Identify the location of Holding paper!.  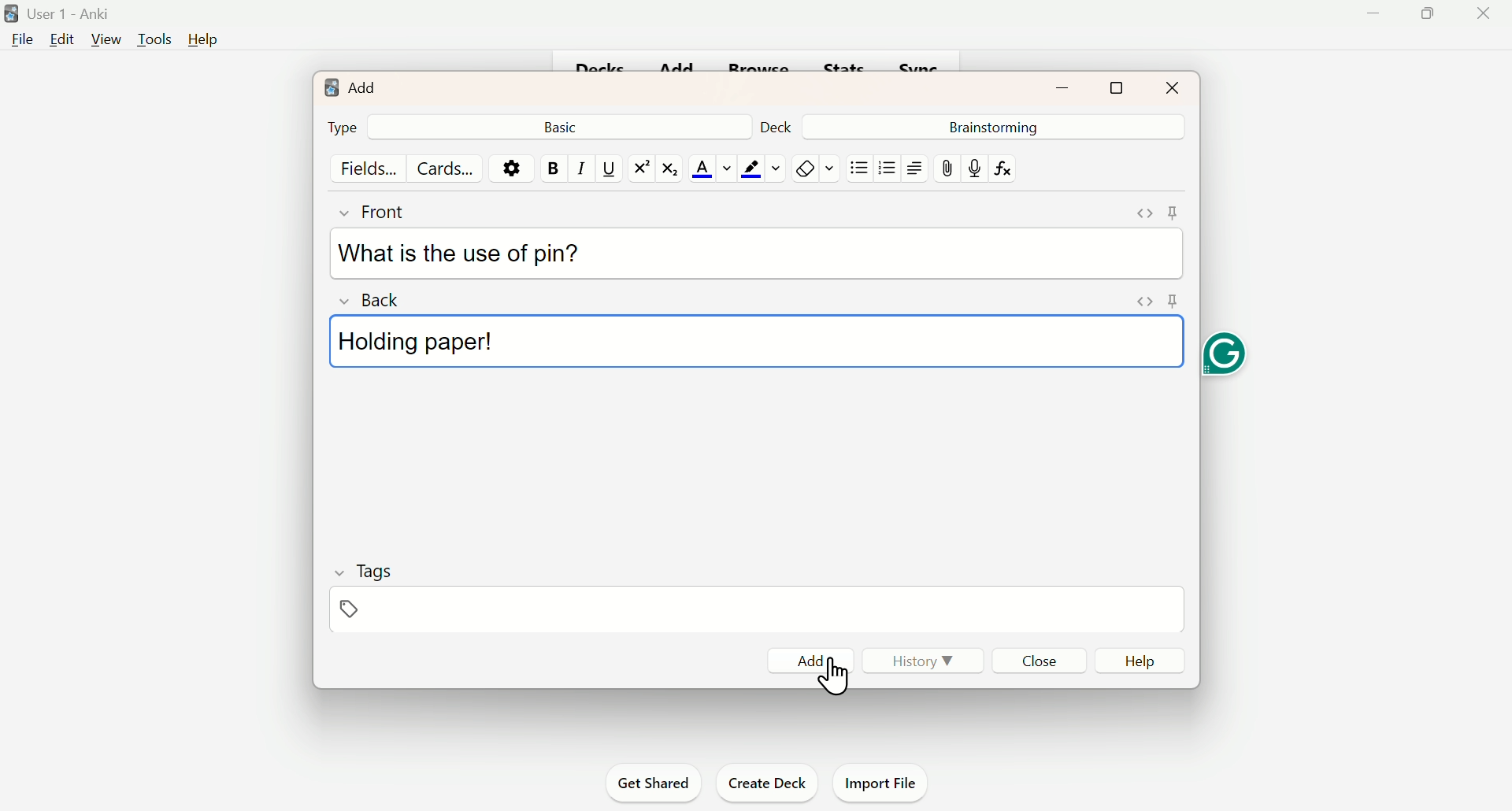
(421, 343).